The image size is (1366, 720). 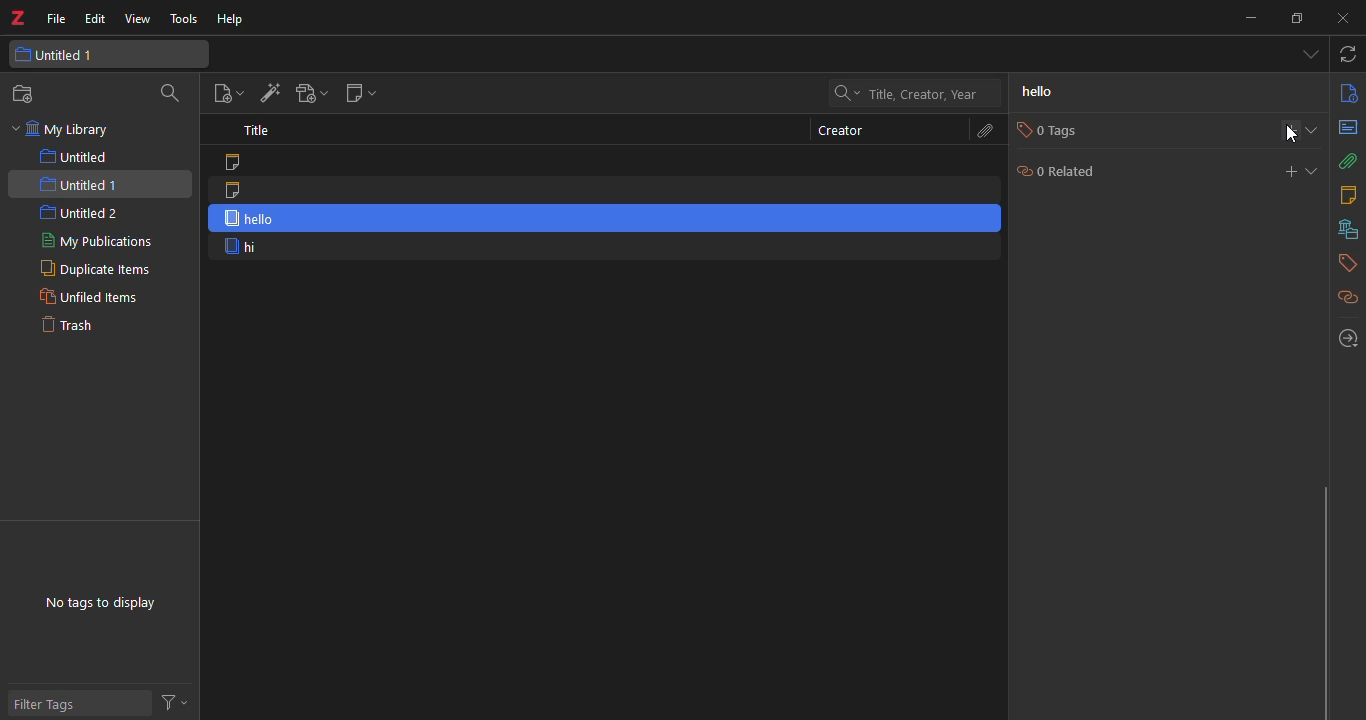 I want to click on add, so click(x=1287, y=171).